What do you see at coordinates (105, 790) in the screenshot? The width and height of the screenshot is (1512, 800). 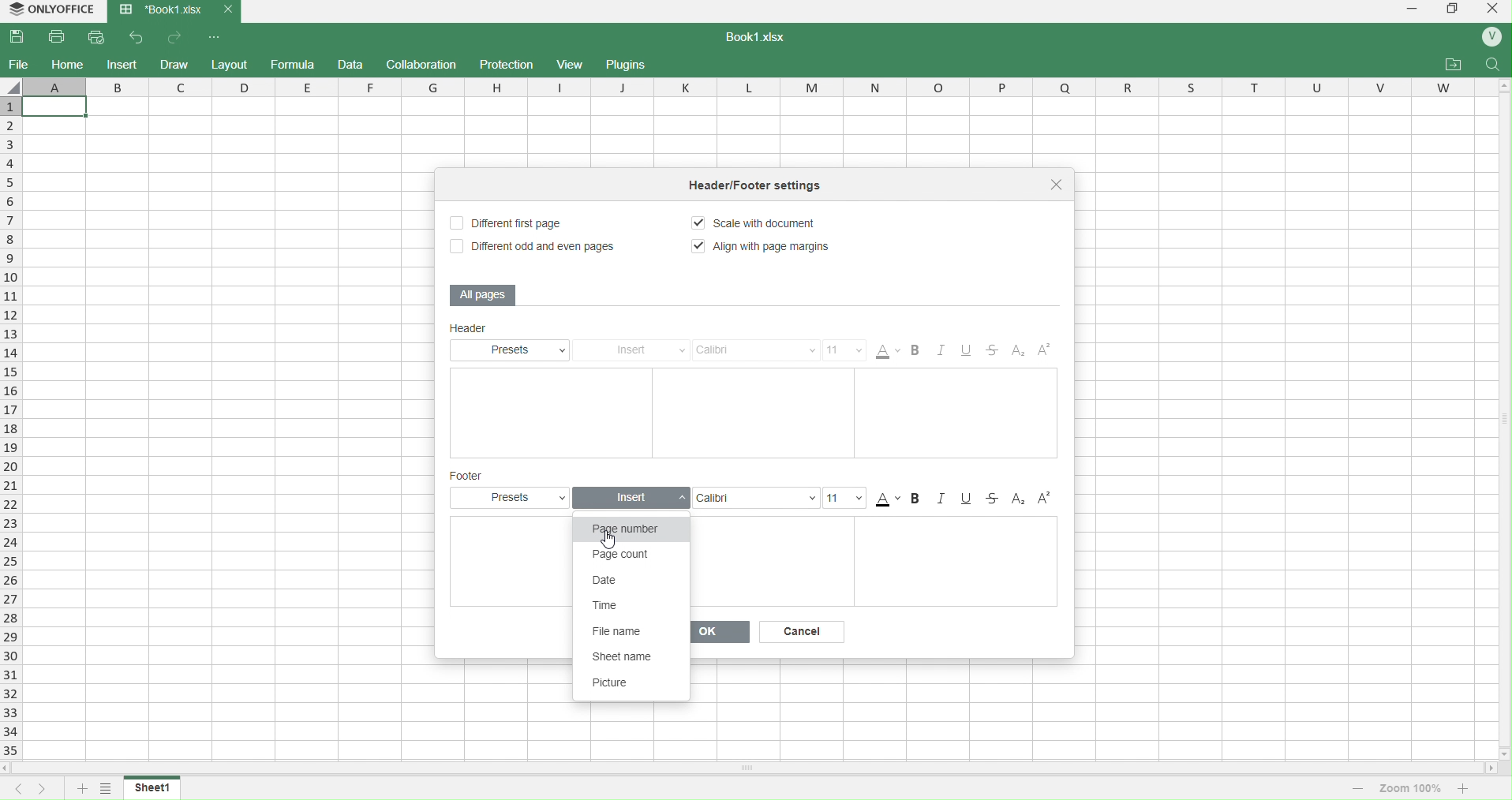 I see `options` at bounding box center [105, 790].